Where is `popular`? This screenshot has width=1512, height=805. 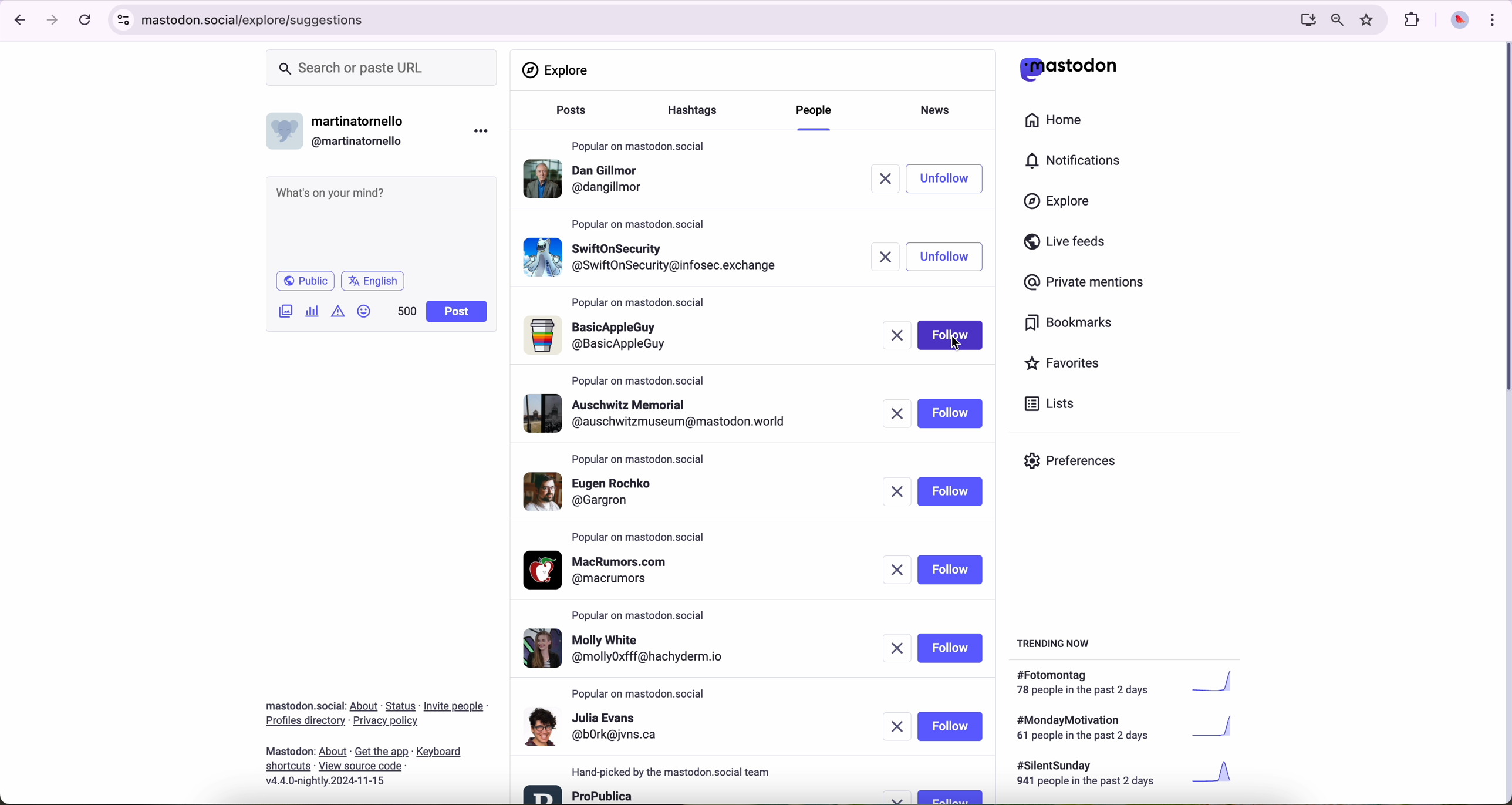
popular is located at coordinates (639, 380).